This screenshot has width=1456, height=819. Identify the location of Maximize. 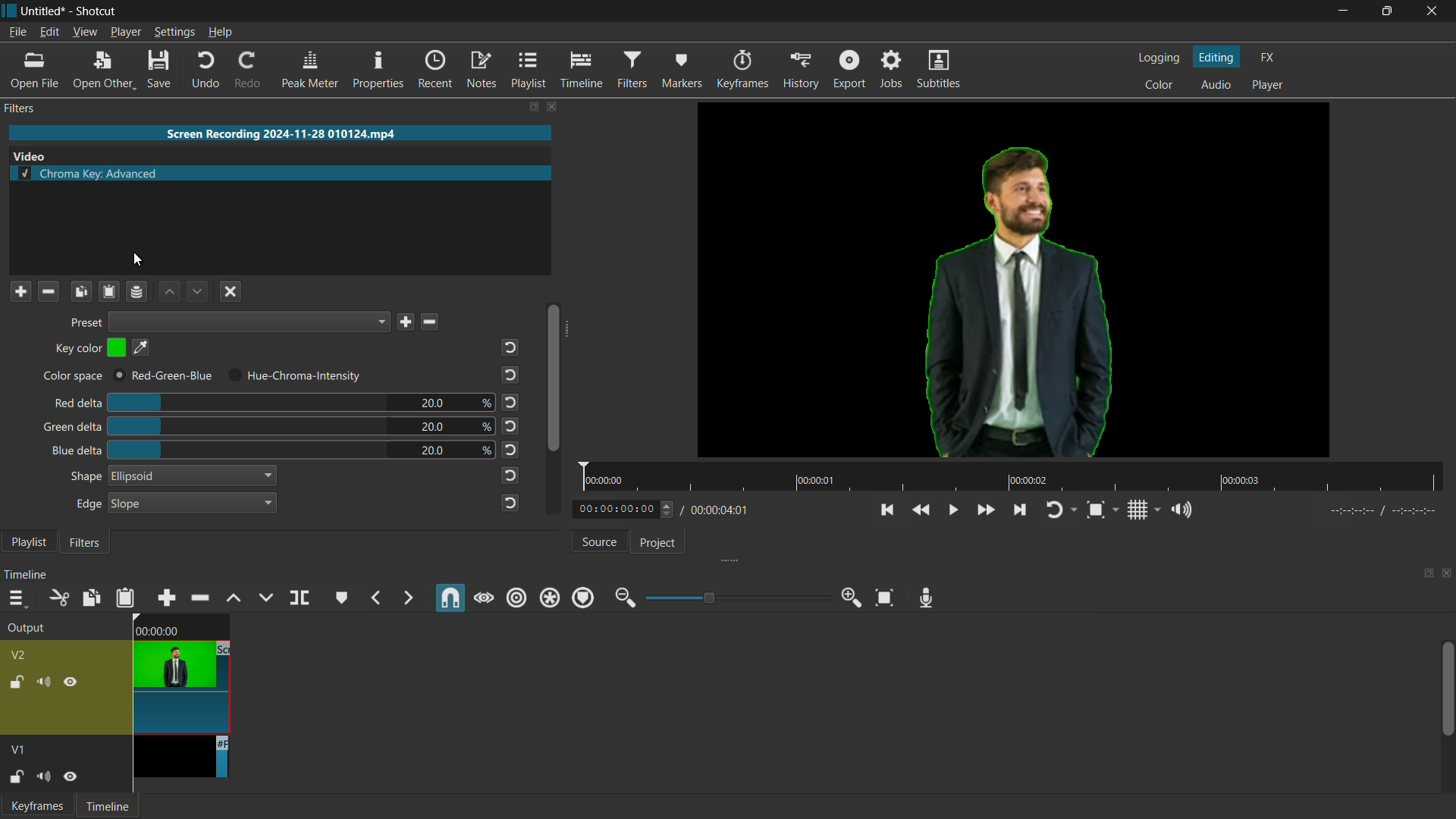
(1388, 11).